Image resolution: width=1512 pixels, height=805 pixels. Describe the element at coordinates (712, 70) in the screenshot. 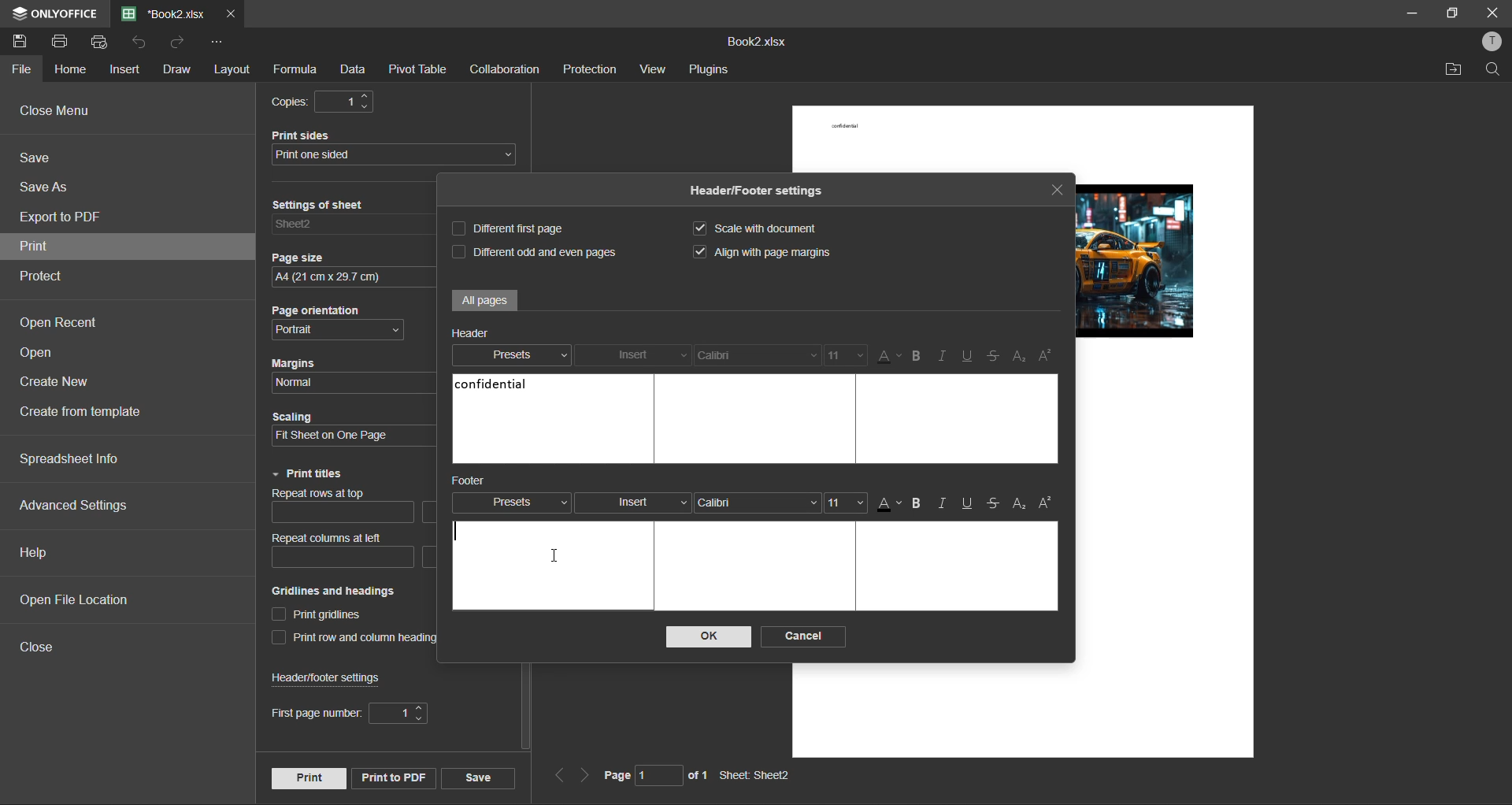

I see `plugins` at that location.